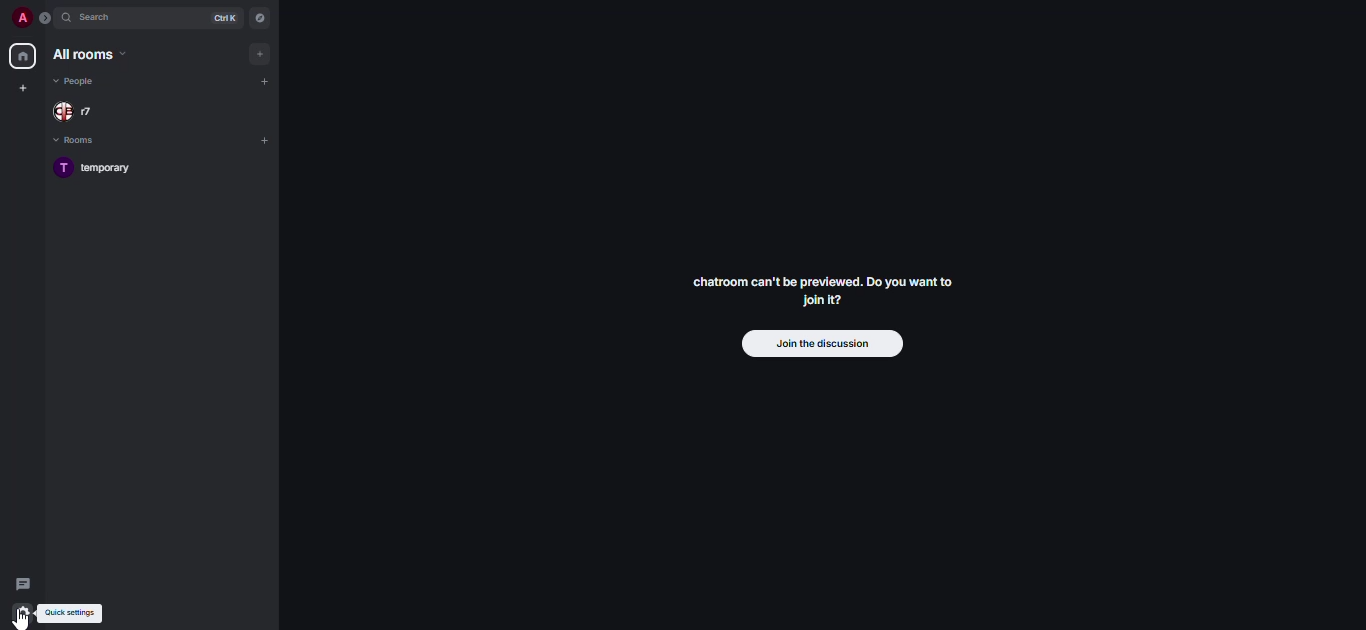 The width and height of the screenshot is (1366, 630). I want to click on navigator, so click(259, 21).